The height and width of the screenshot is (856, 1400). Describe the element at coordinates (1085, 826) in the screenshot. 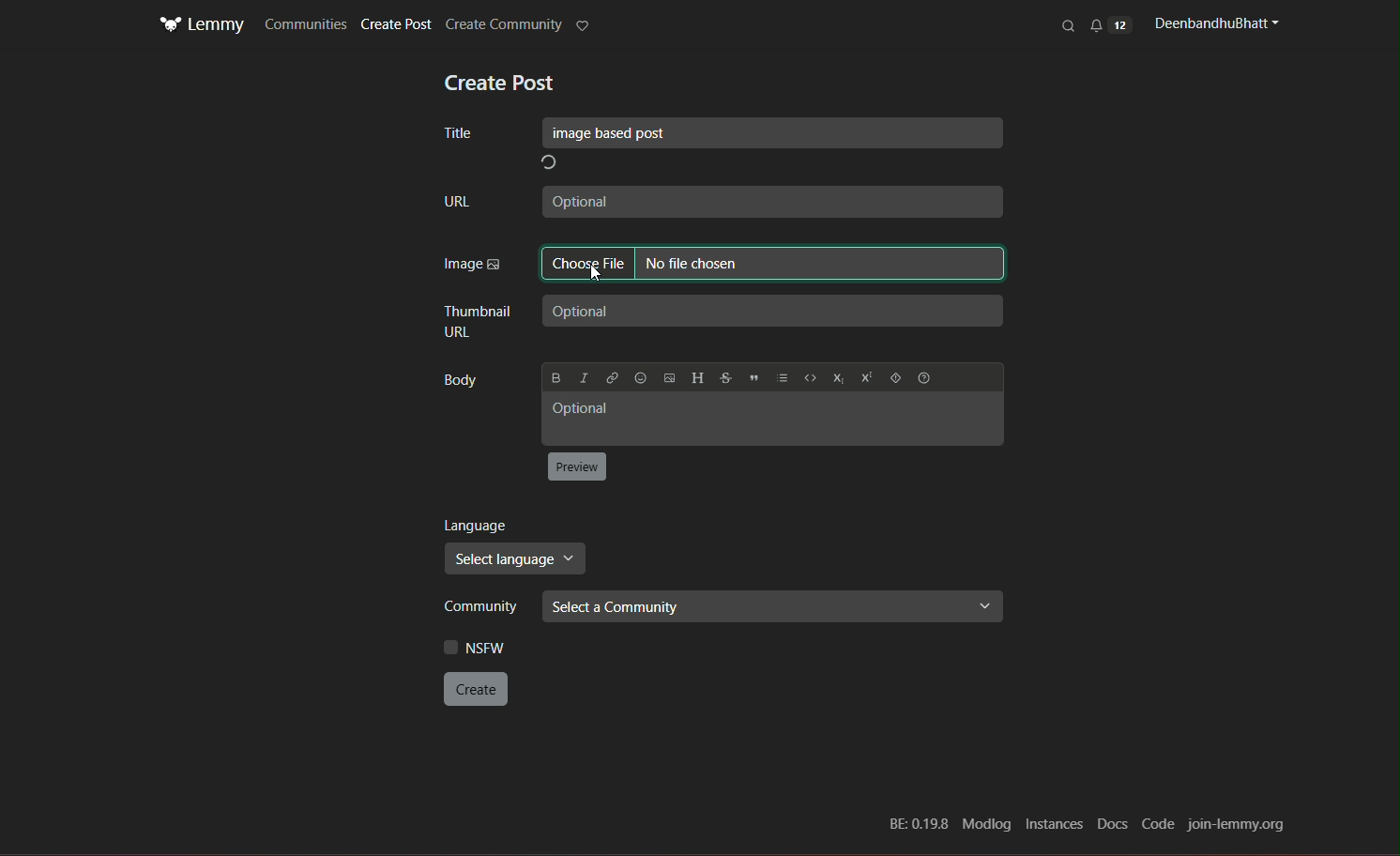

I see `BE0.198 Modiog Instances Docs Code join-lemmy.org` at that location.